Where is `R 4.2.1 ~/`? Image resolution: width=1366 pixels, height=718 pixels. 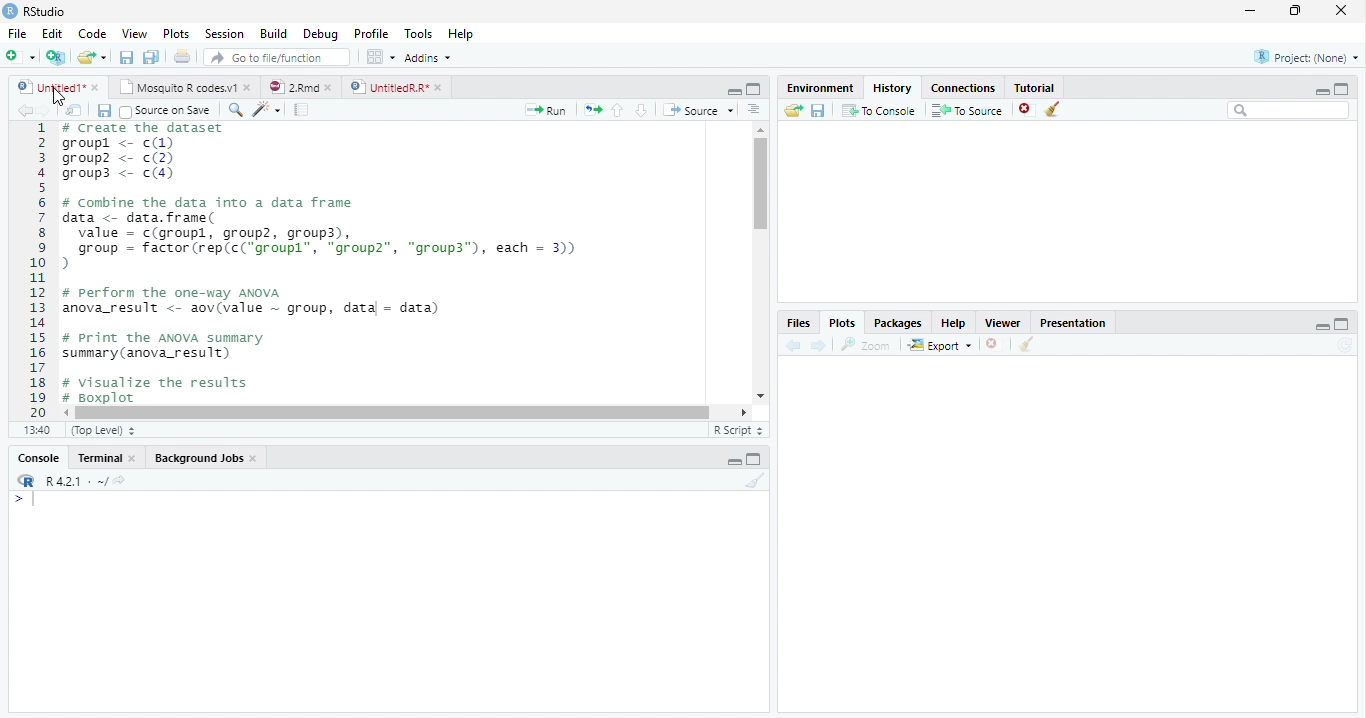 R 4.2.1 ~/ is located at coordinates (77, 481).